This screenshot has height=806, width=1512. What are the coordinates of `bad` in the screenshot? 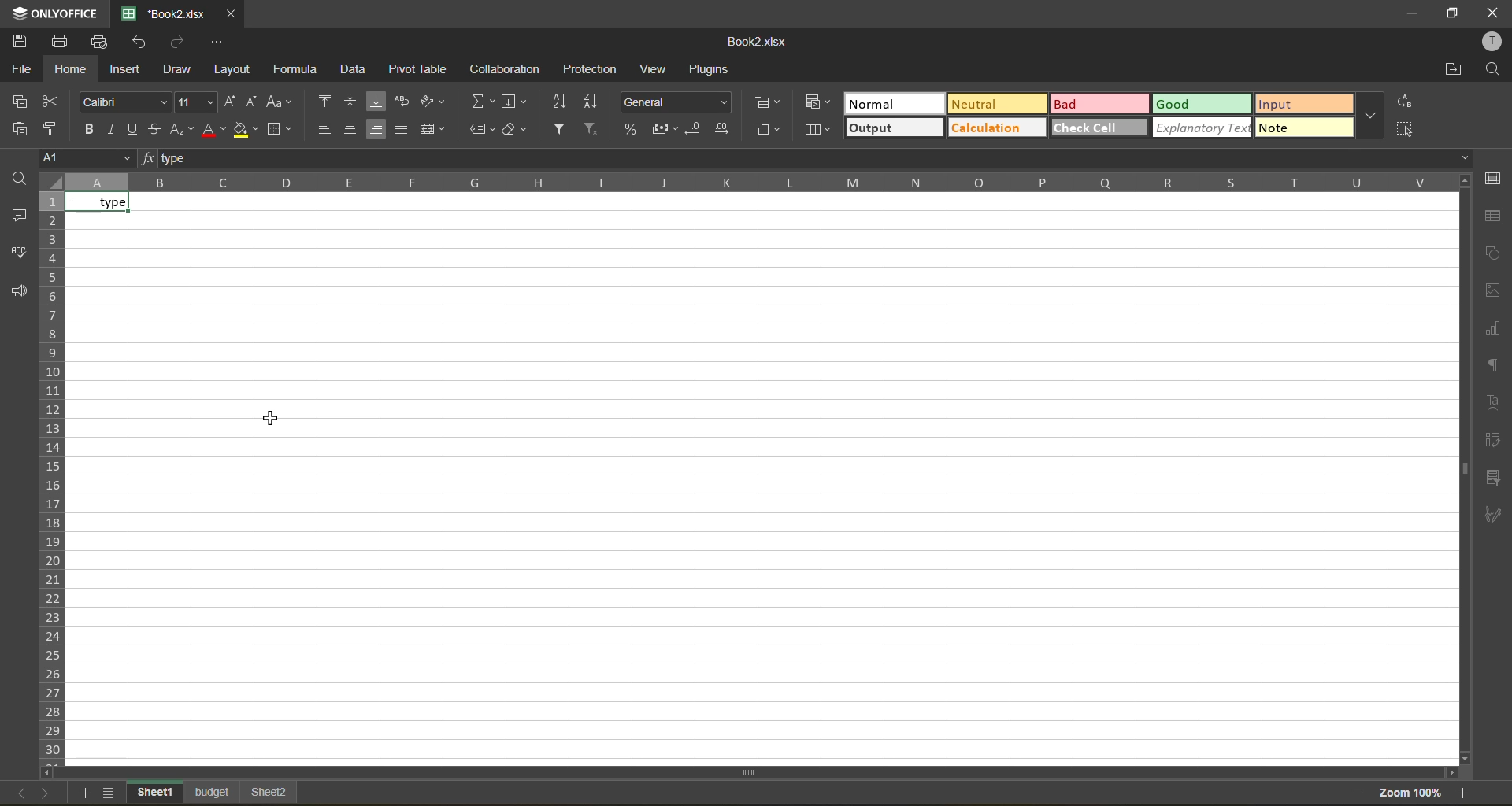 It's located at (1099, 103).